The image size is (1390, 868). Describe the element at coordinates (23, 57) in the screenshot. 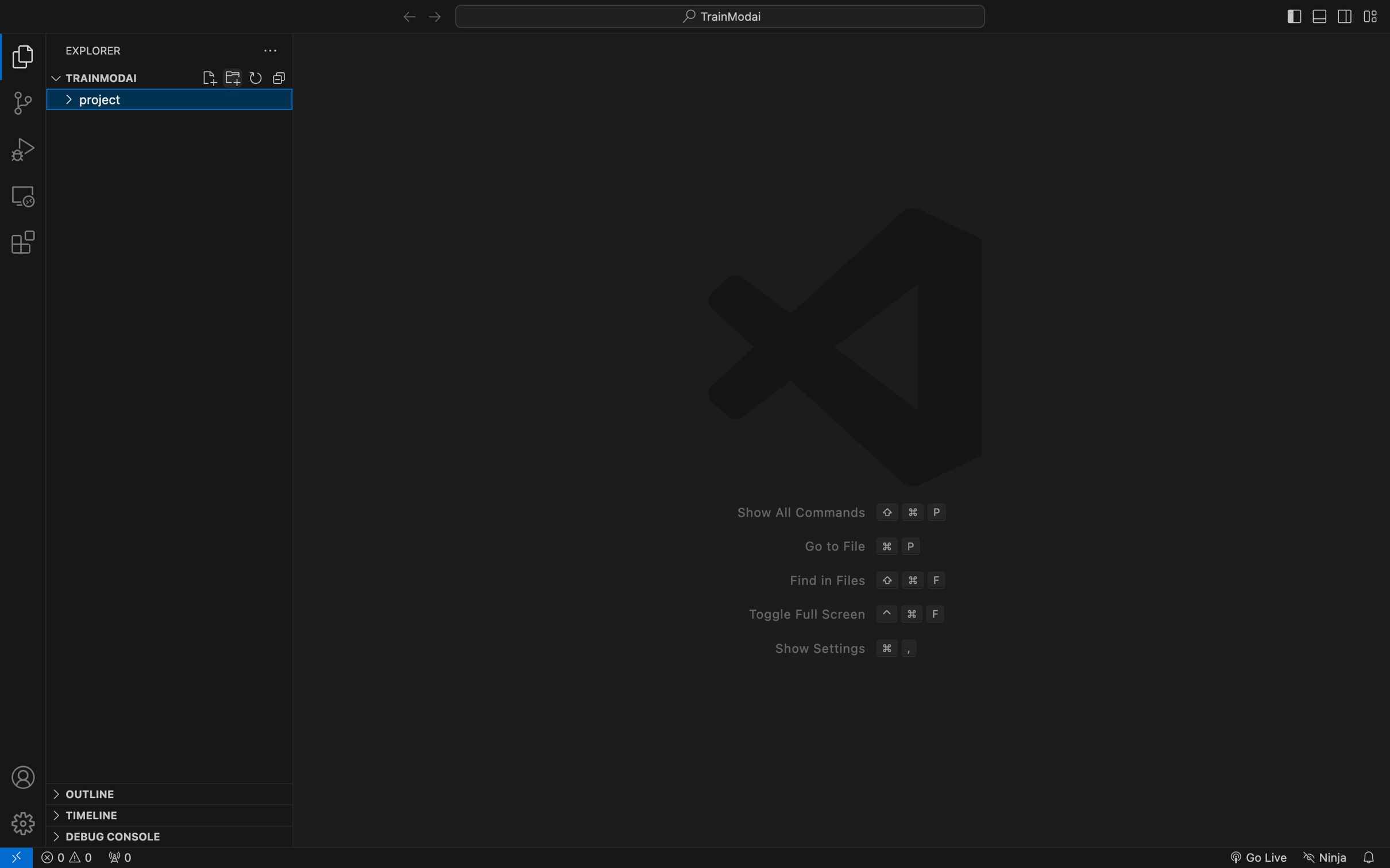

I see `file explore` at that location.